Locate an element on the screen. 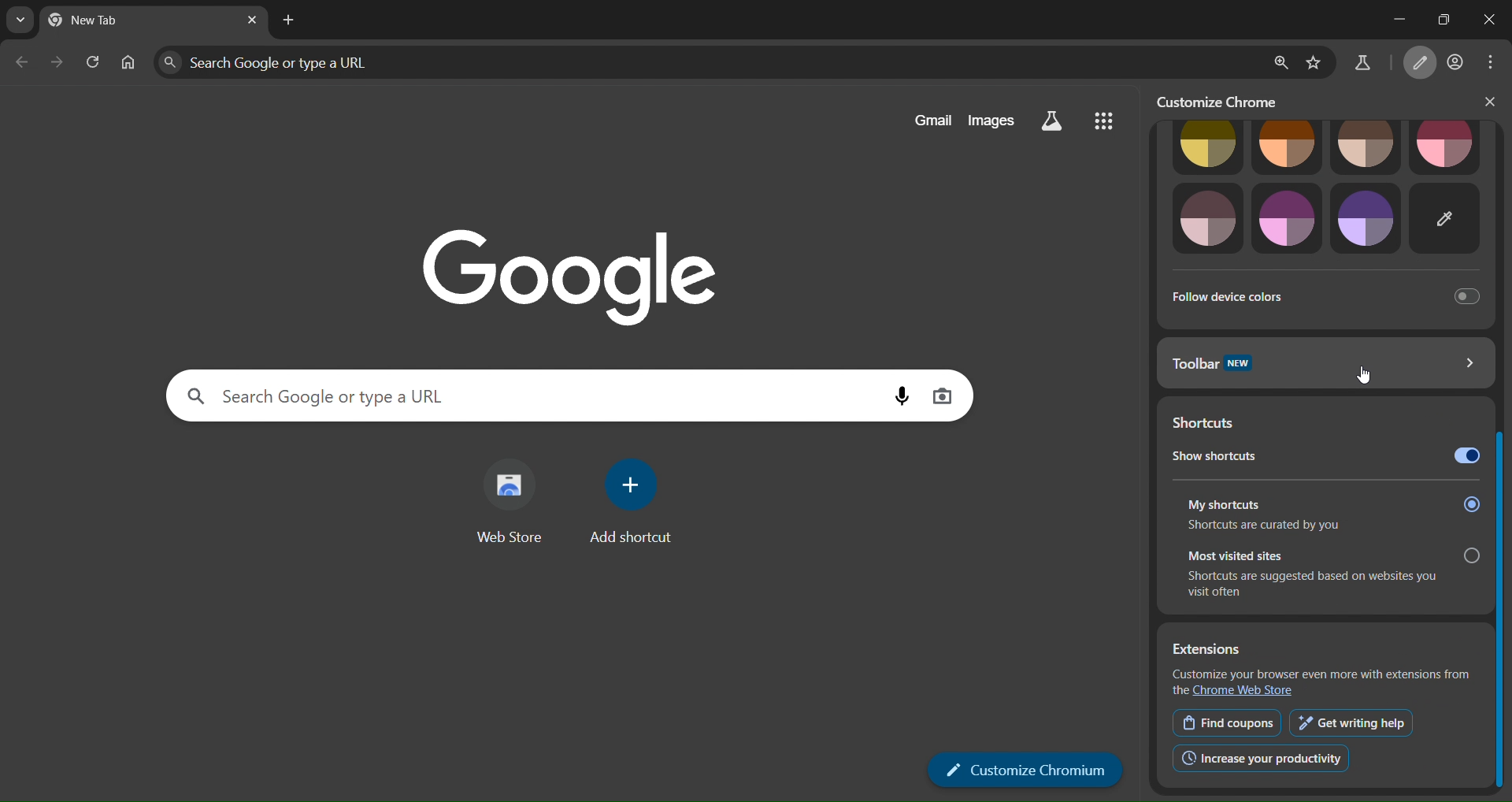  search labs is located at coordinates (1051, 122).